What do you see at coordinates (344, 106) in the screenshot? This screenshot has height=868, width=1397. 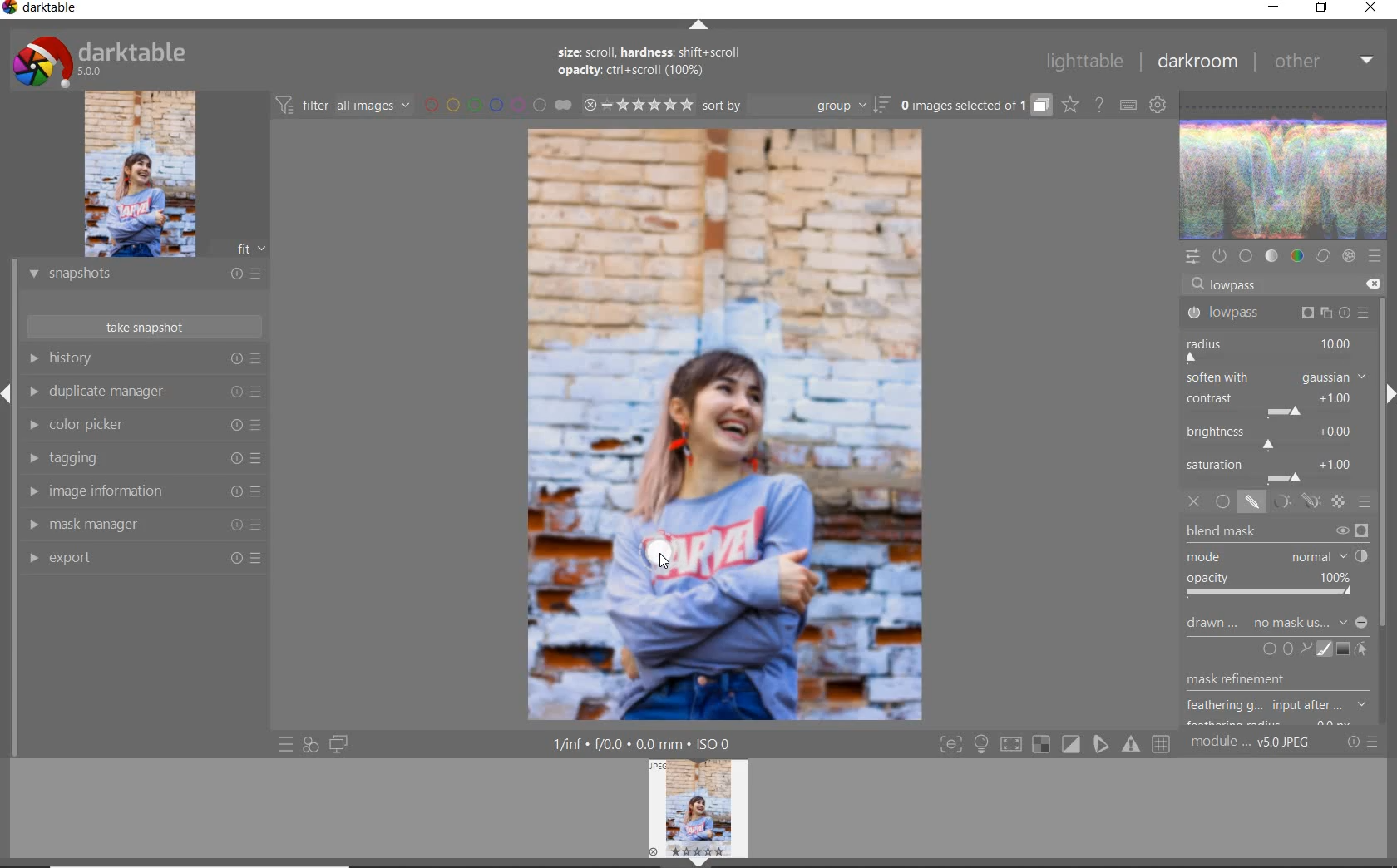 I see `filter all images by module order` at bounding box center [344, 106].